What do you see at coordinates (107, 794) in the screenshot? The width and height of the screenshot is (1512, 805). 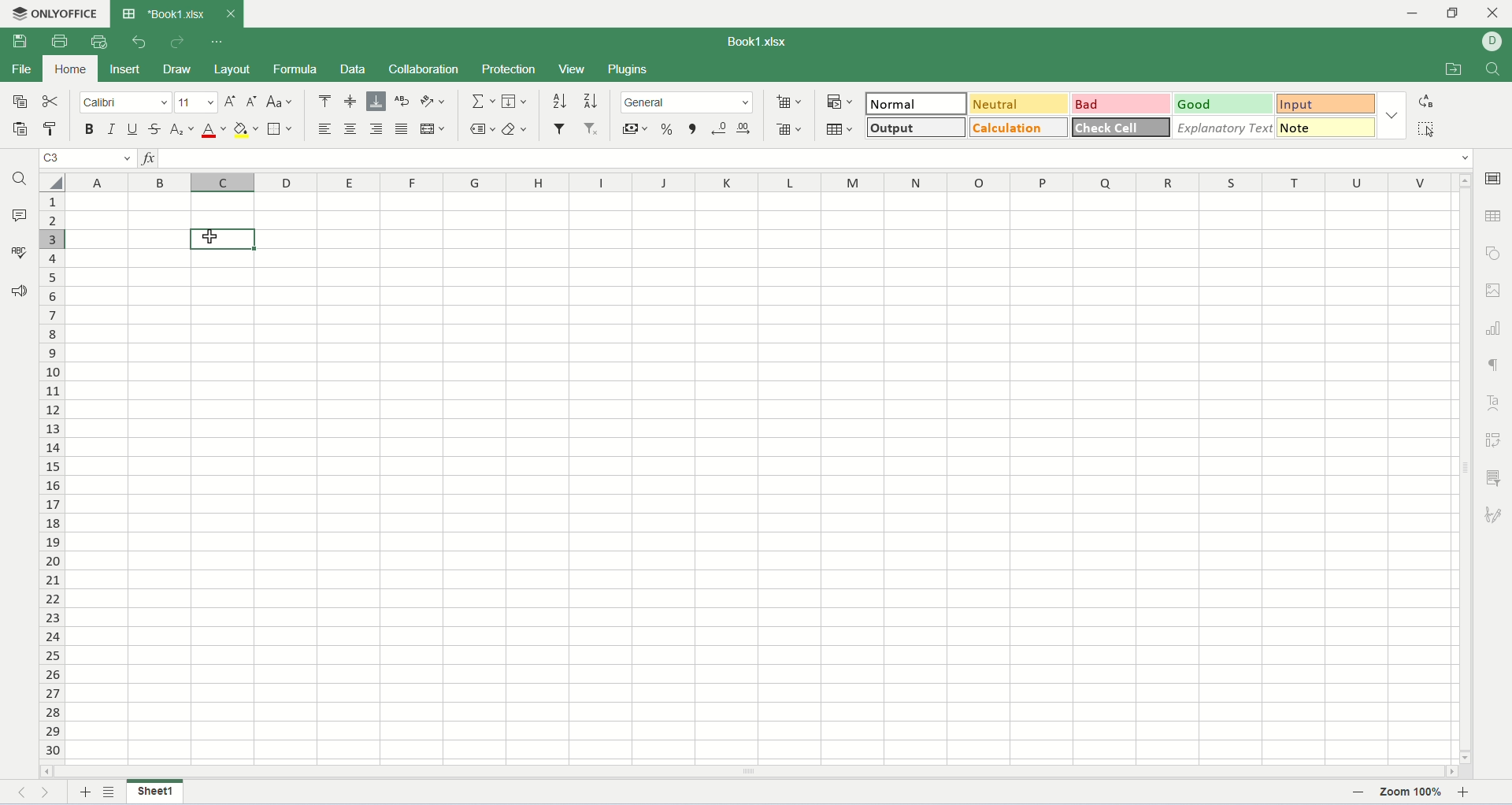 I see `list sheets` at bounding box center [107, 794].